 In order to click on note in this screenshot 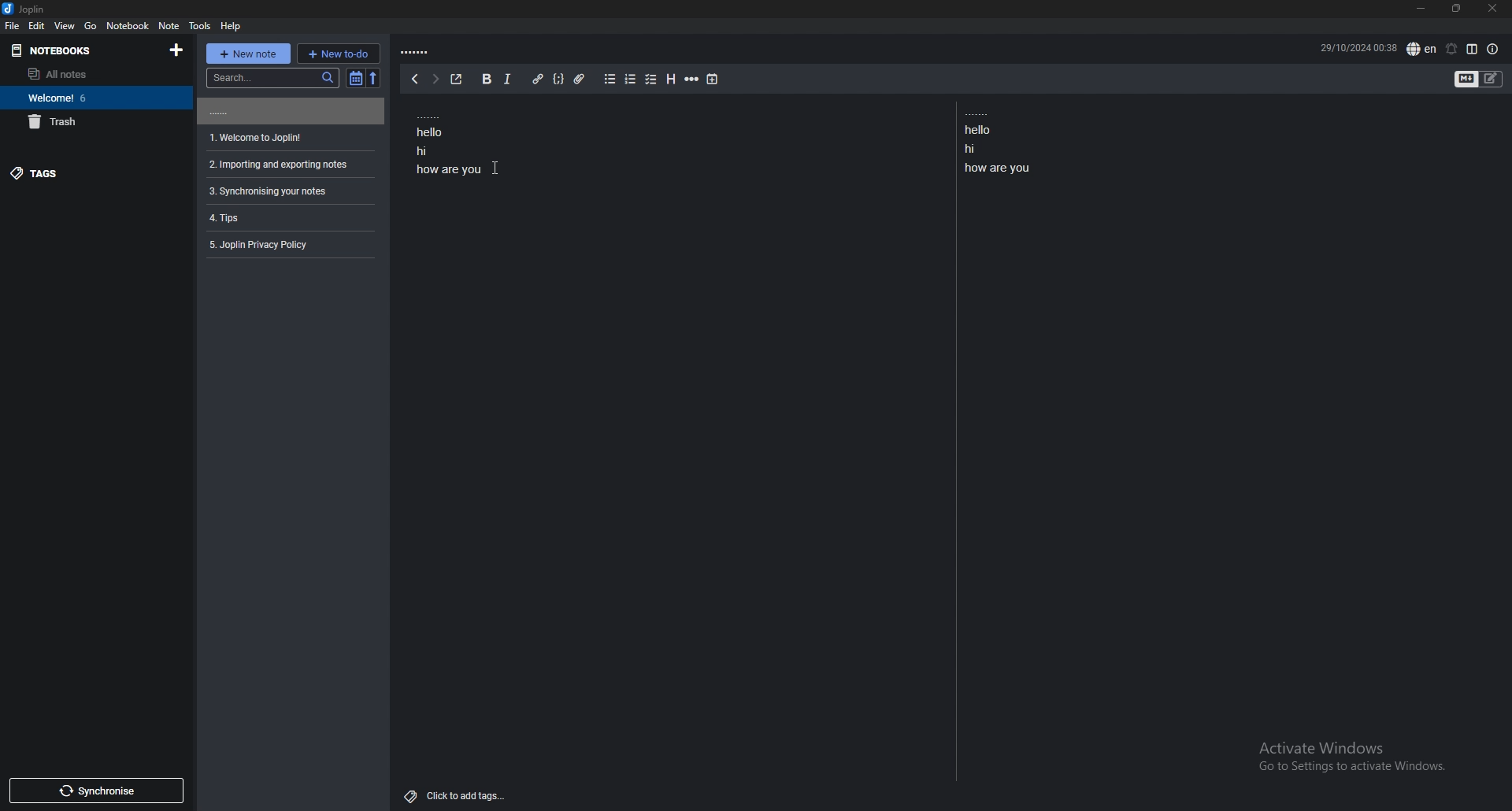, I will do `click(287, 245)`.